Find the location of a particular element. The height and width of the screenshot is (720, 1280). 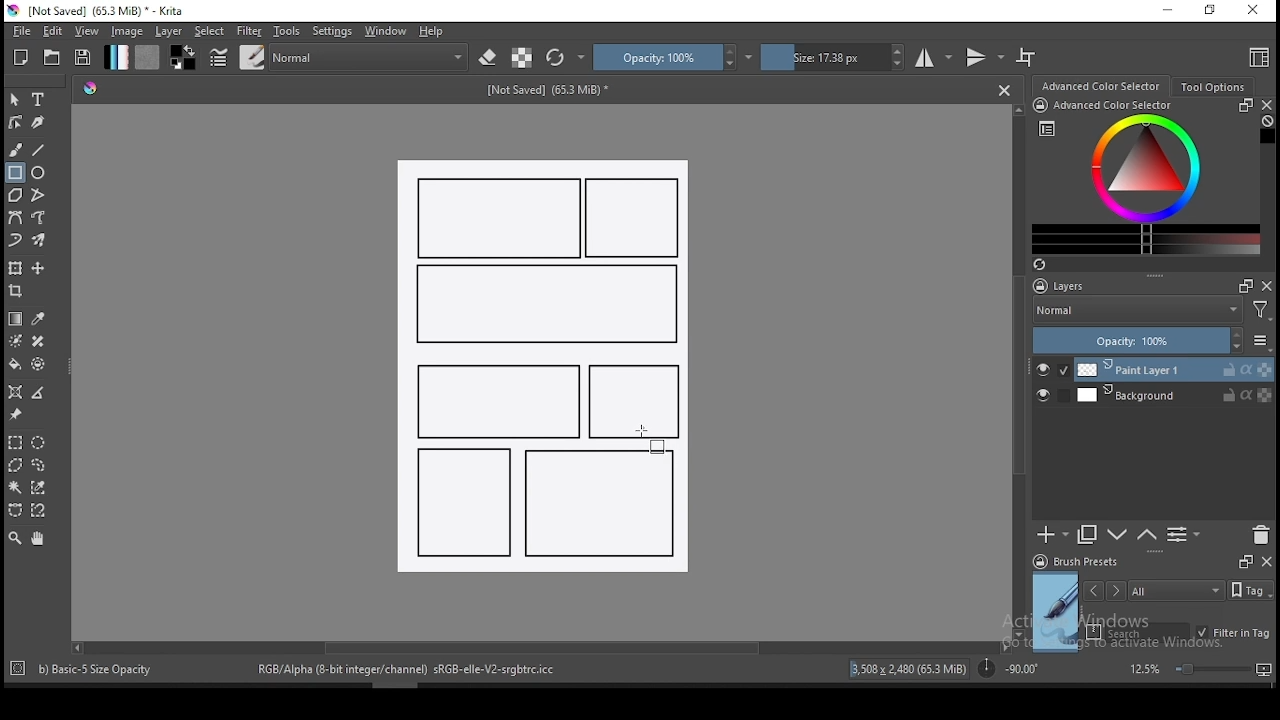

preview is located at coordinates (1056, 612).